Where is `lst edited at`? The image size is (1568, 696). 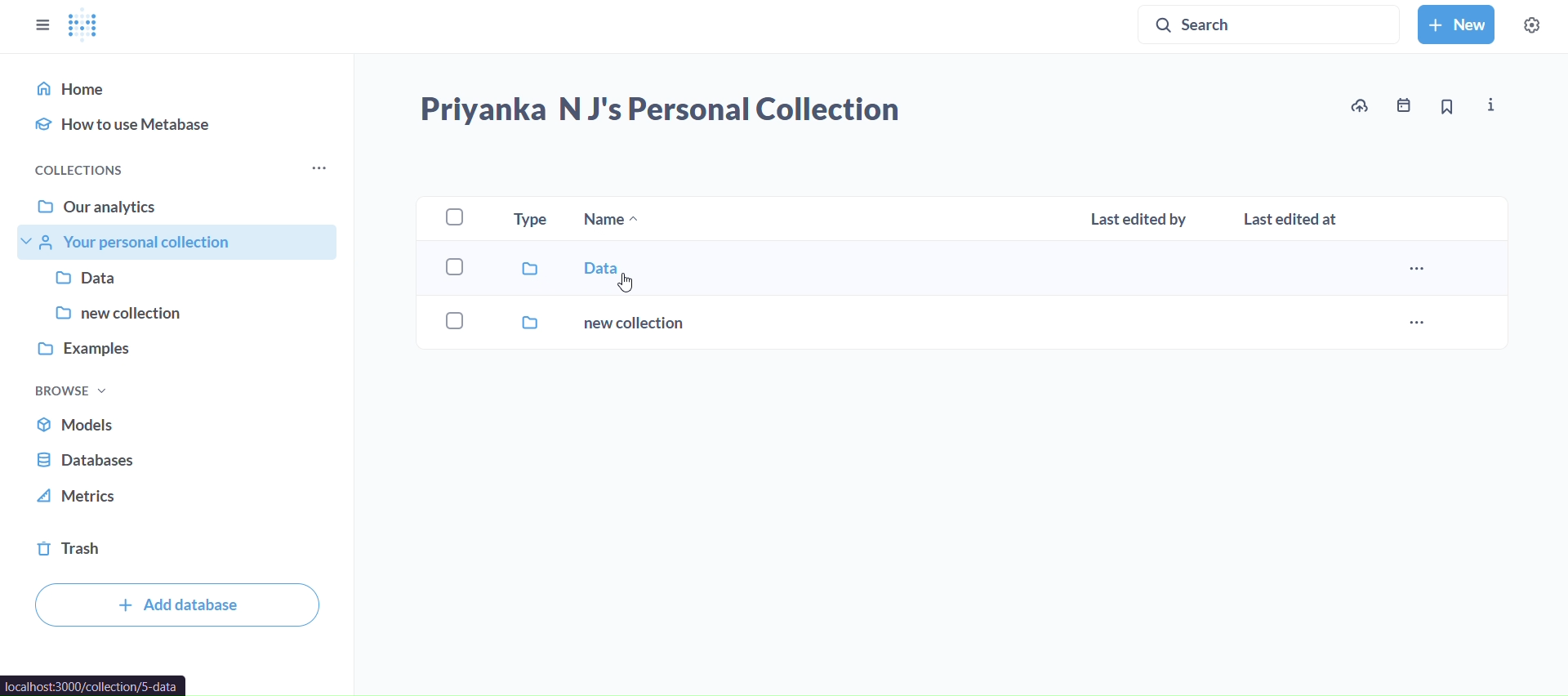 lst edited at is located at coordinates (1292, 221).